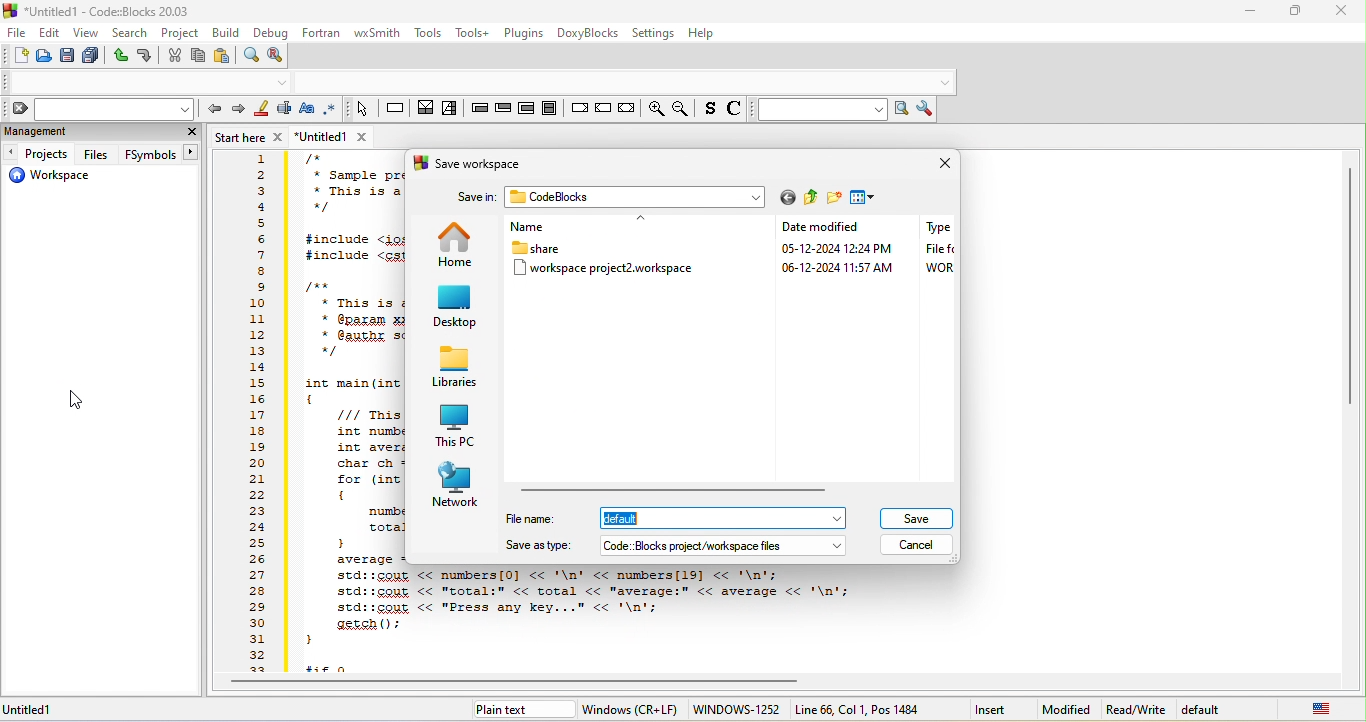 This screenshot has height=722, width=1366. I want to click on management, so click(85, 133).